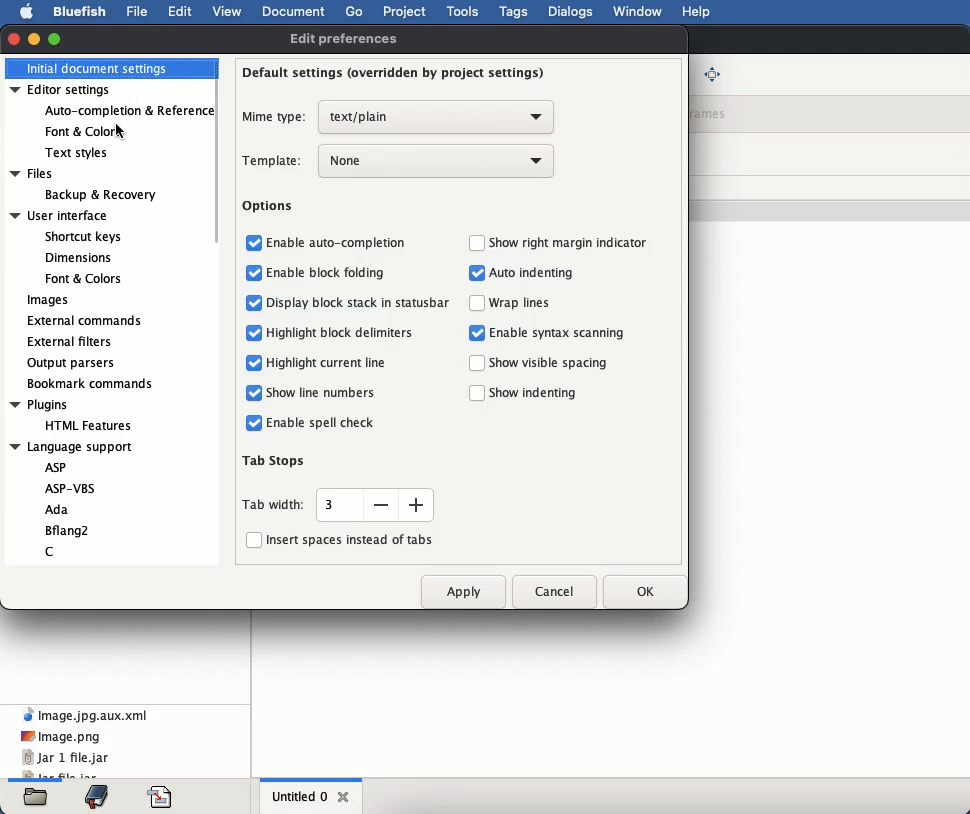  Describe the element at coordinates (273, 460) in the screenshot. I see `tab stops` at that location.